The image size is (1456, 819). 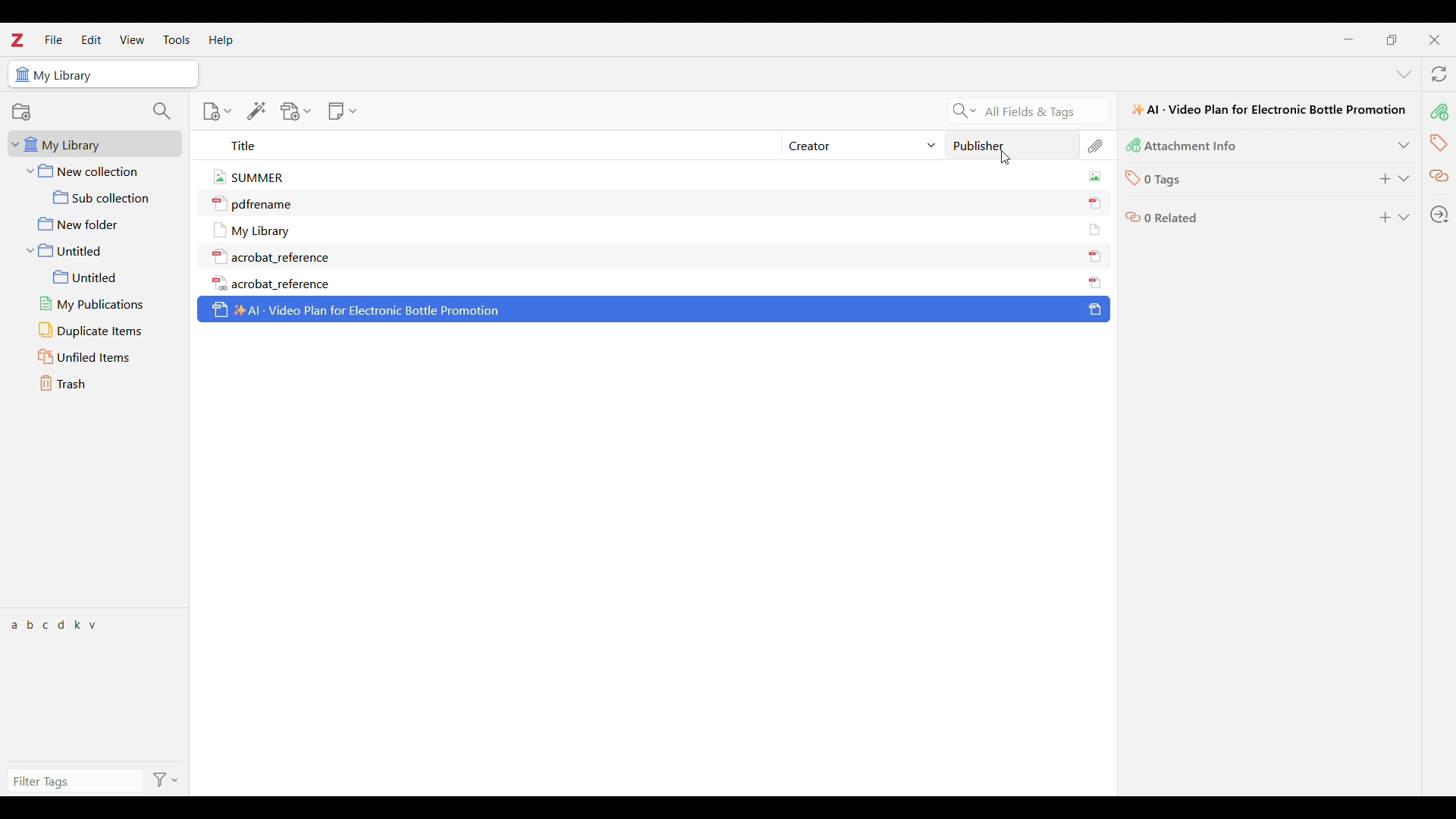 What do you see at coordinates (1131, 220) in the screenshot?
I see `icon` at bounding box center [1131, 220].